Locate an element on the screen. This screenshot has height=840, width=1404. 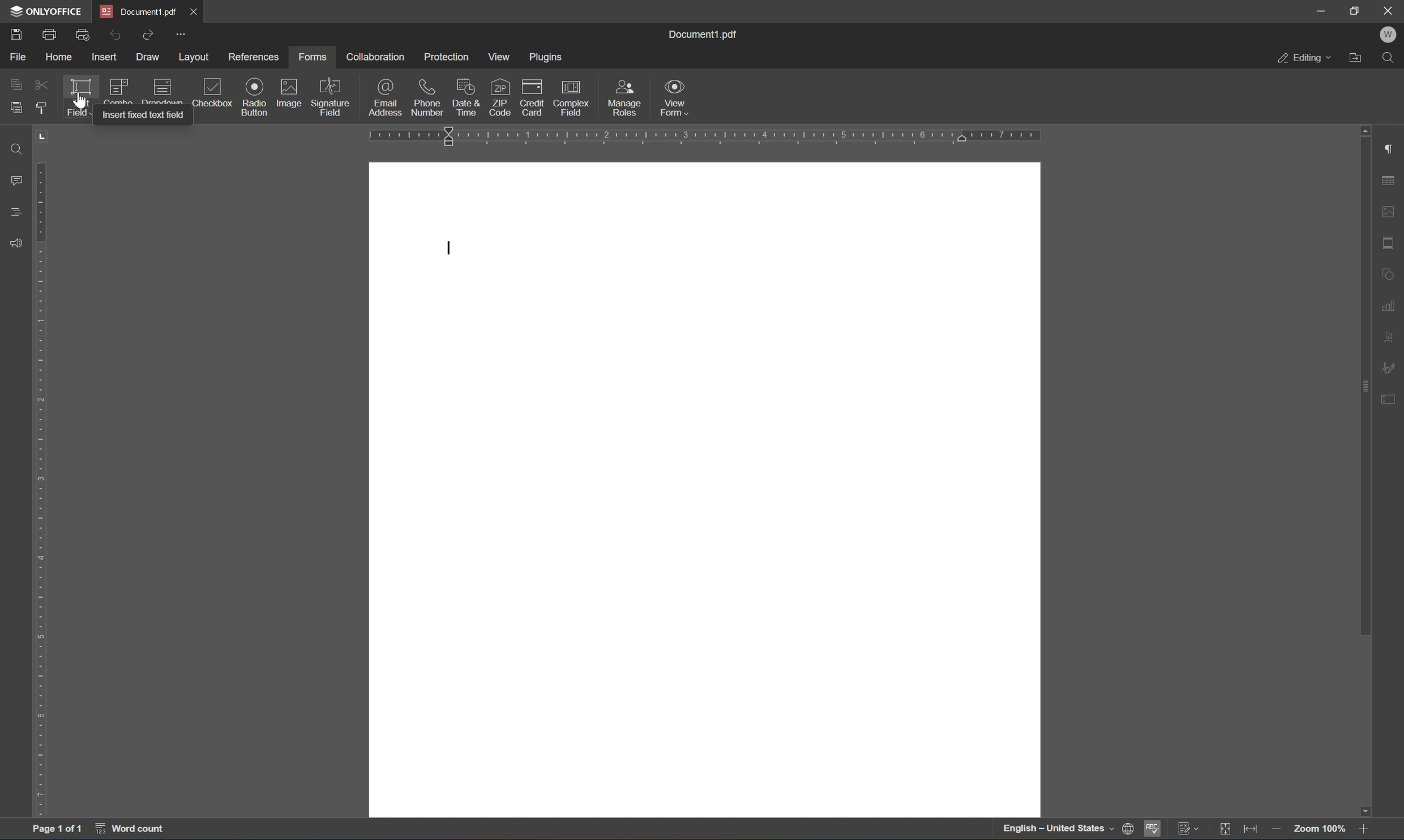
layout is located at coordinates (192, 55).